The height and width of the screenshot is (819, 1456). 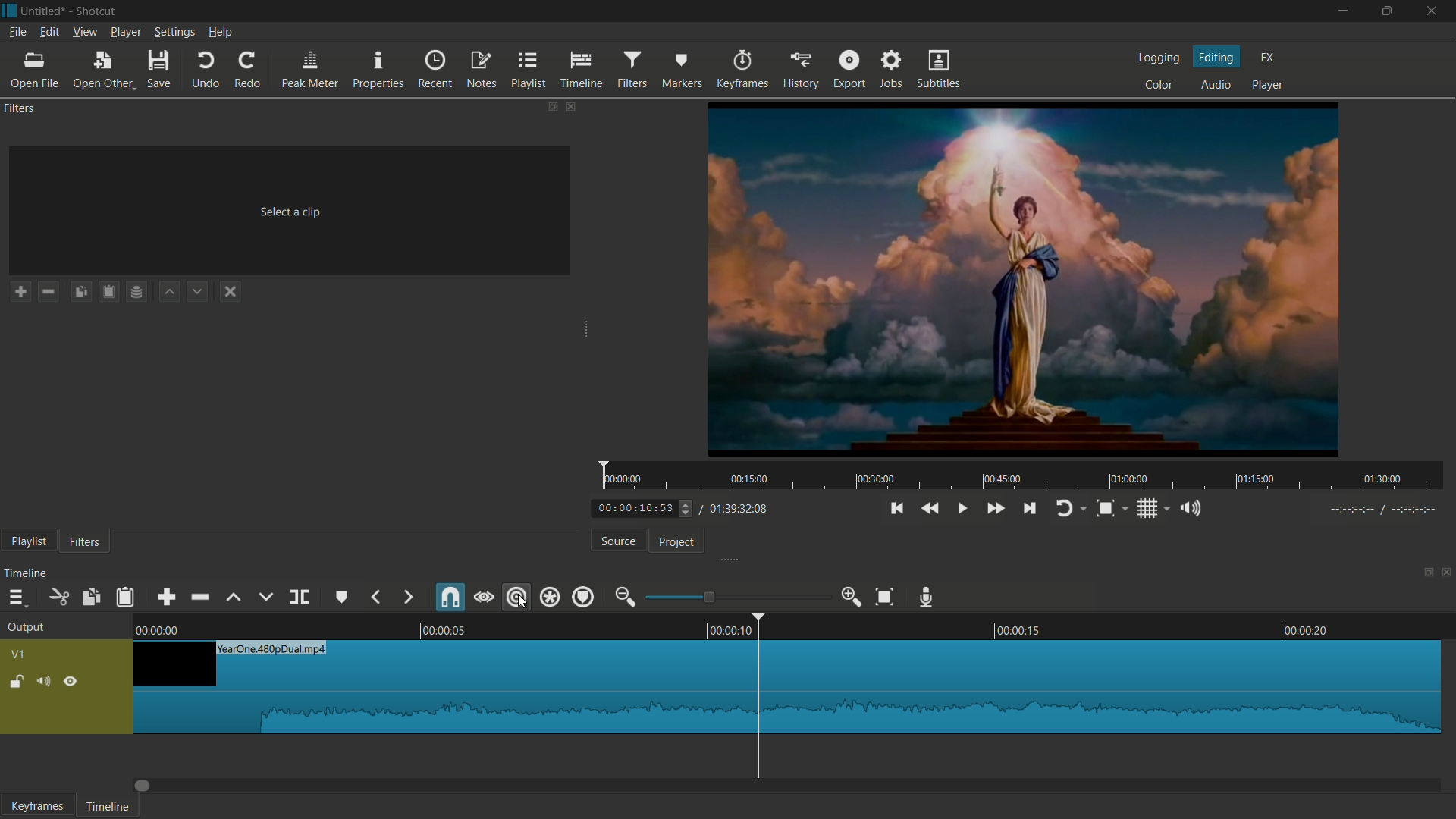 What do you see at coordinates (788, 688) in the screenshot?
I see `video in timeline` at bounding box center [788, 688].